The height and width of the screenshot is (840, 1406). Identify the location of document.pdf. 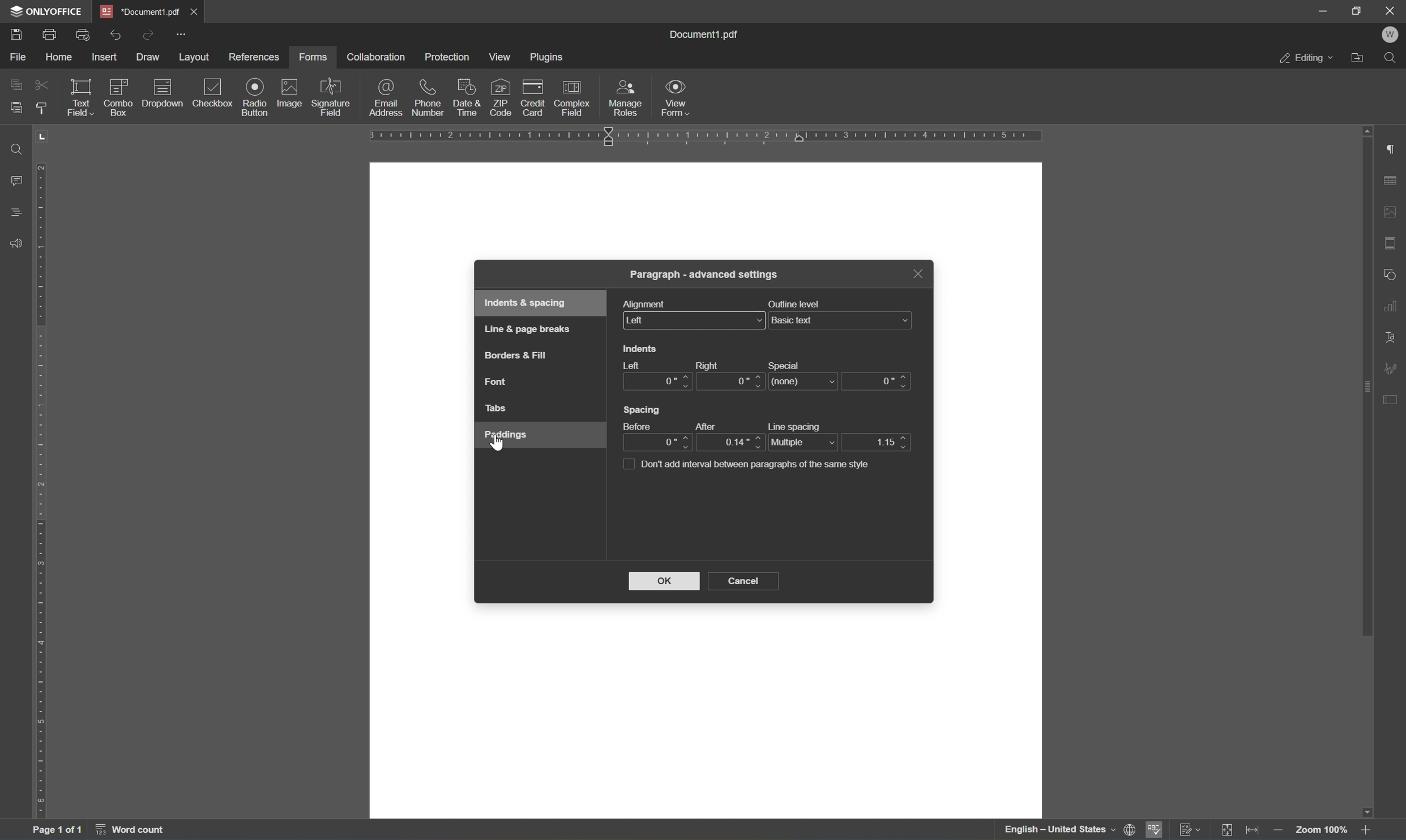
(710, 34).